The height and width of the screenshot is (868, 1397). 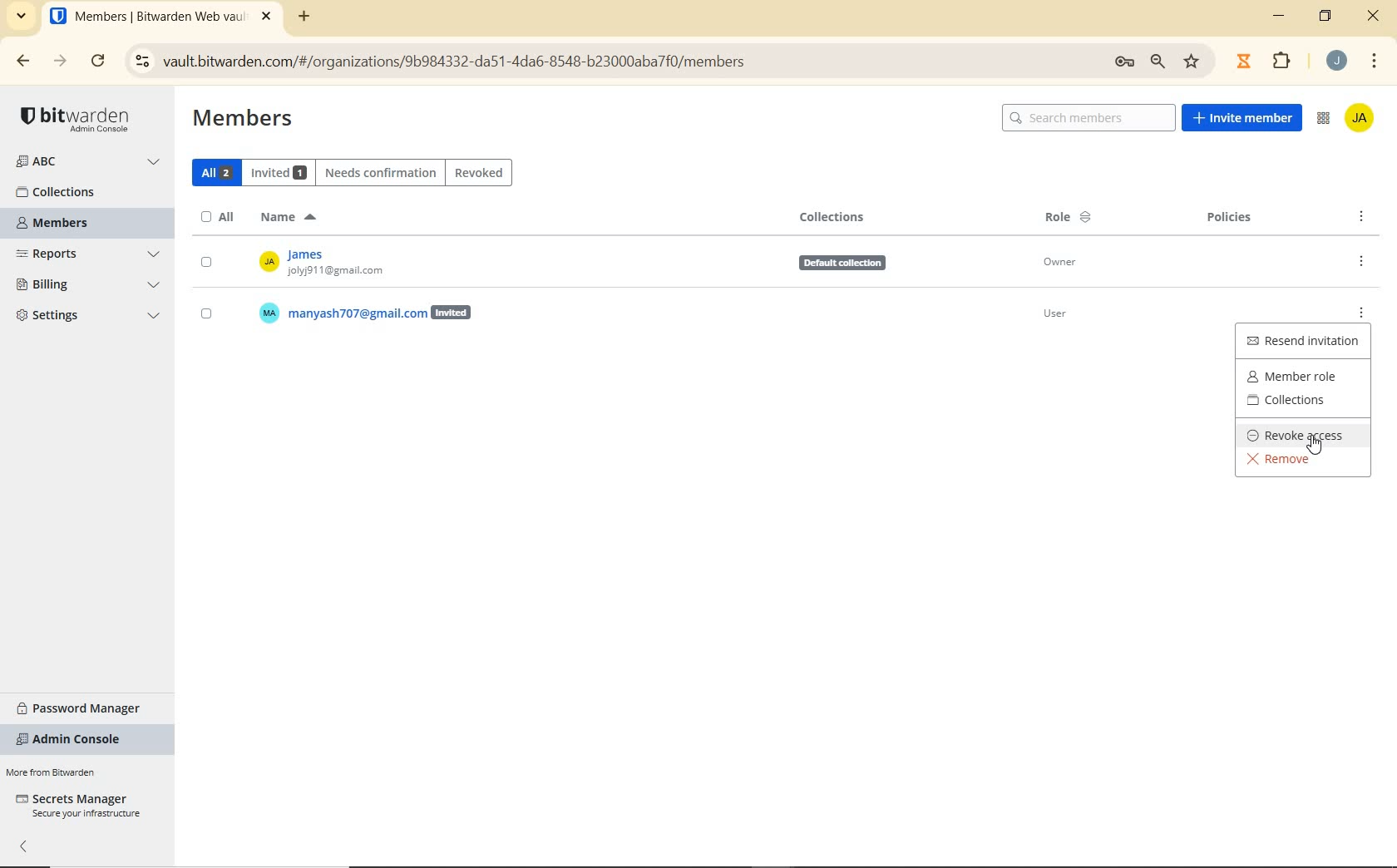 What do you see at coordinates (1285, 462) in the screenshot?
I see `REMOVE` at bounding box center [1285, 462].